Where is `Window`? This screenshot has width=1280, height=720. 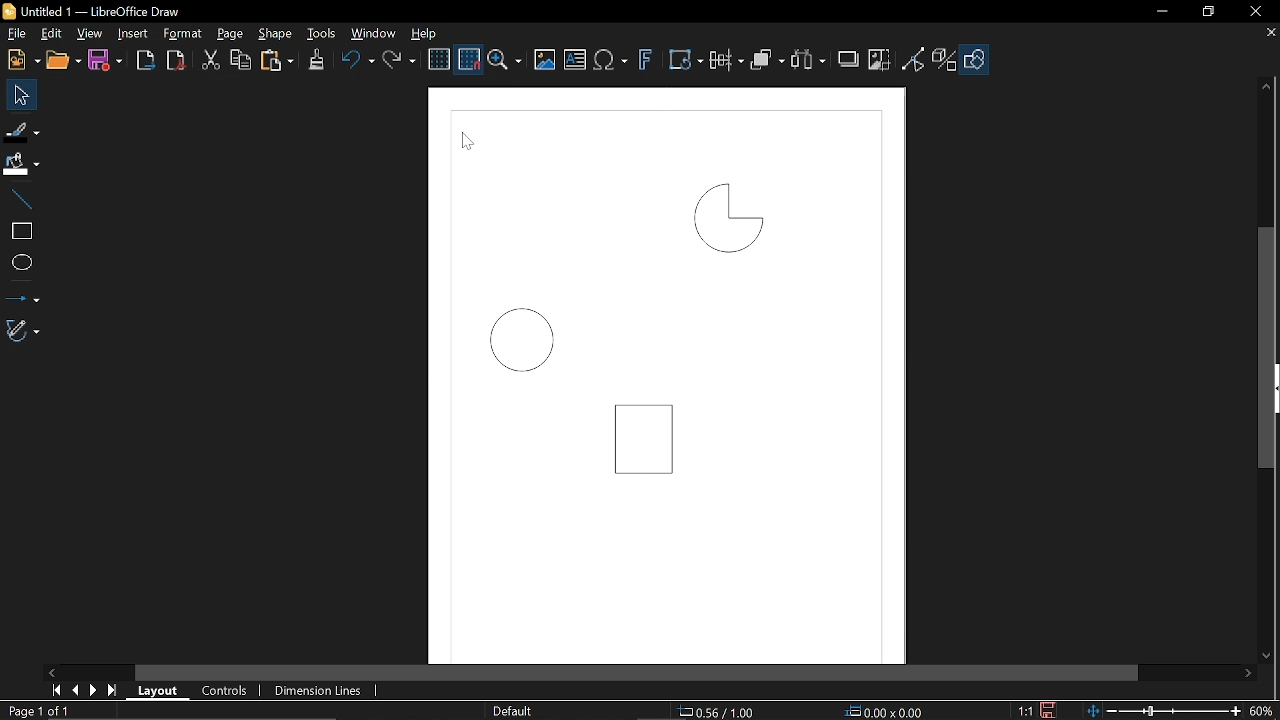 Window is located at coordinates (373, 34).